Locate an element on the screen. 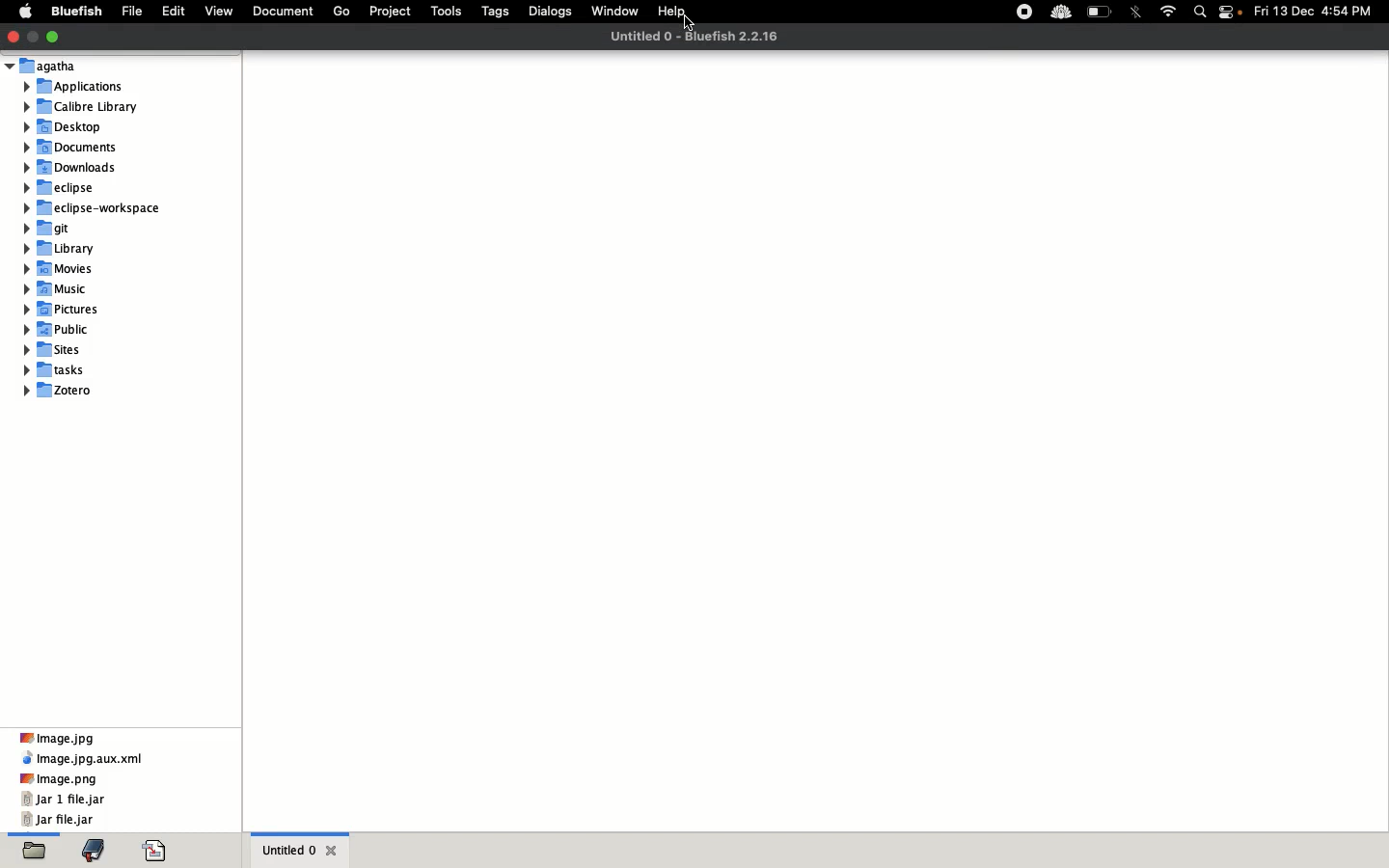 The image size is (1389, 868). Image is located at coordinates (59, 779).